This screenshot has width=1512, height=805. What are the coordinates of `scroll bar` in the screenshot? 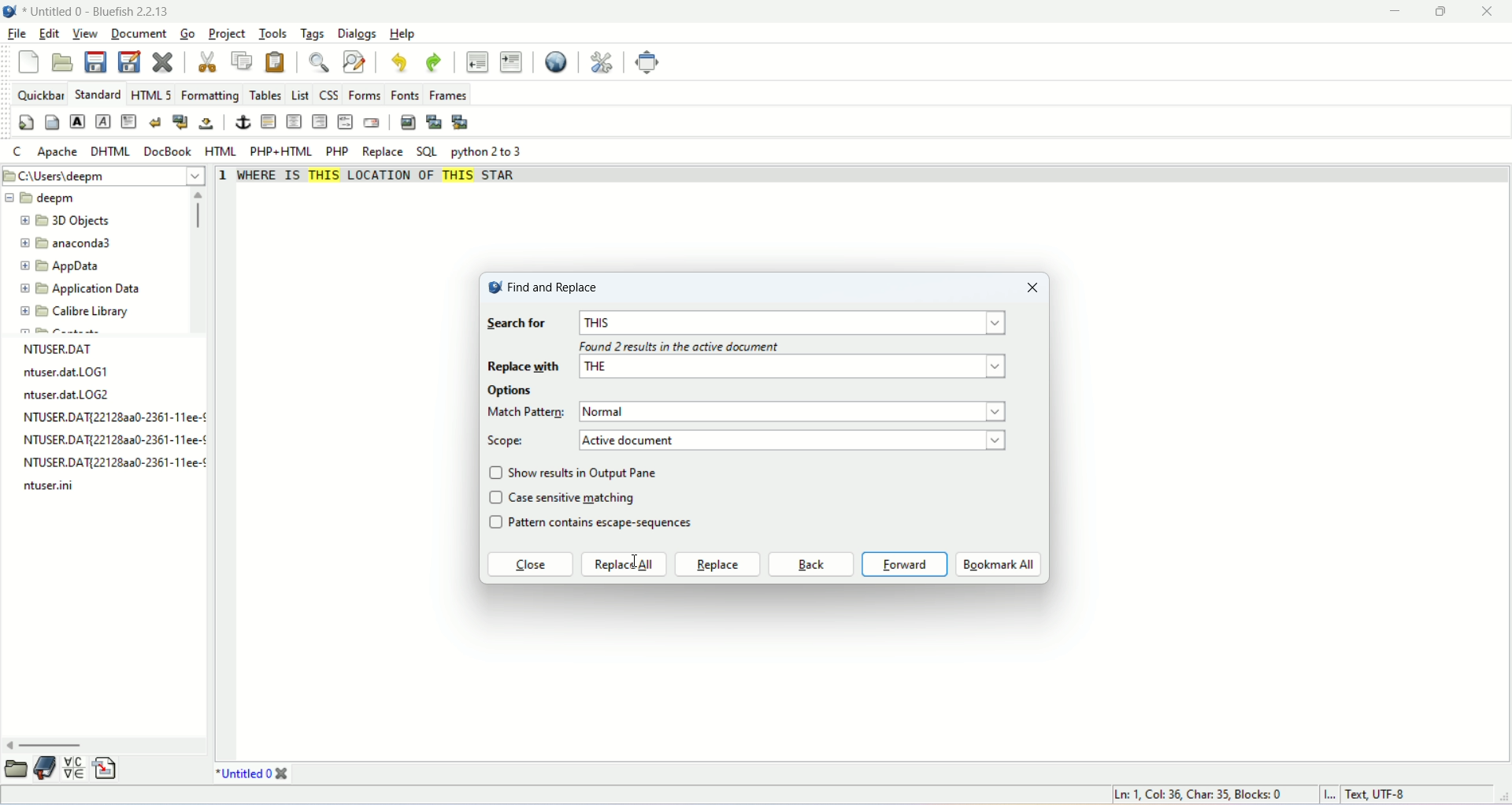 It's located at (201, 259).